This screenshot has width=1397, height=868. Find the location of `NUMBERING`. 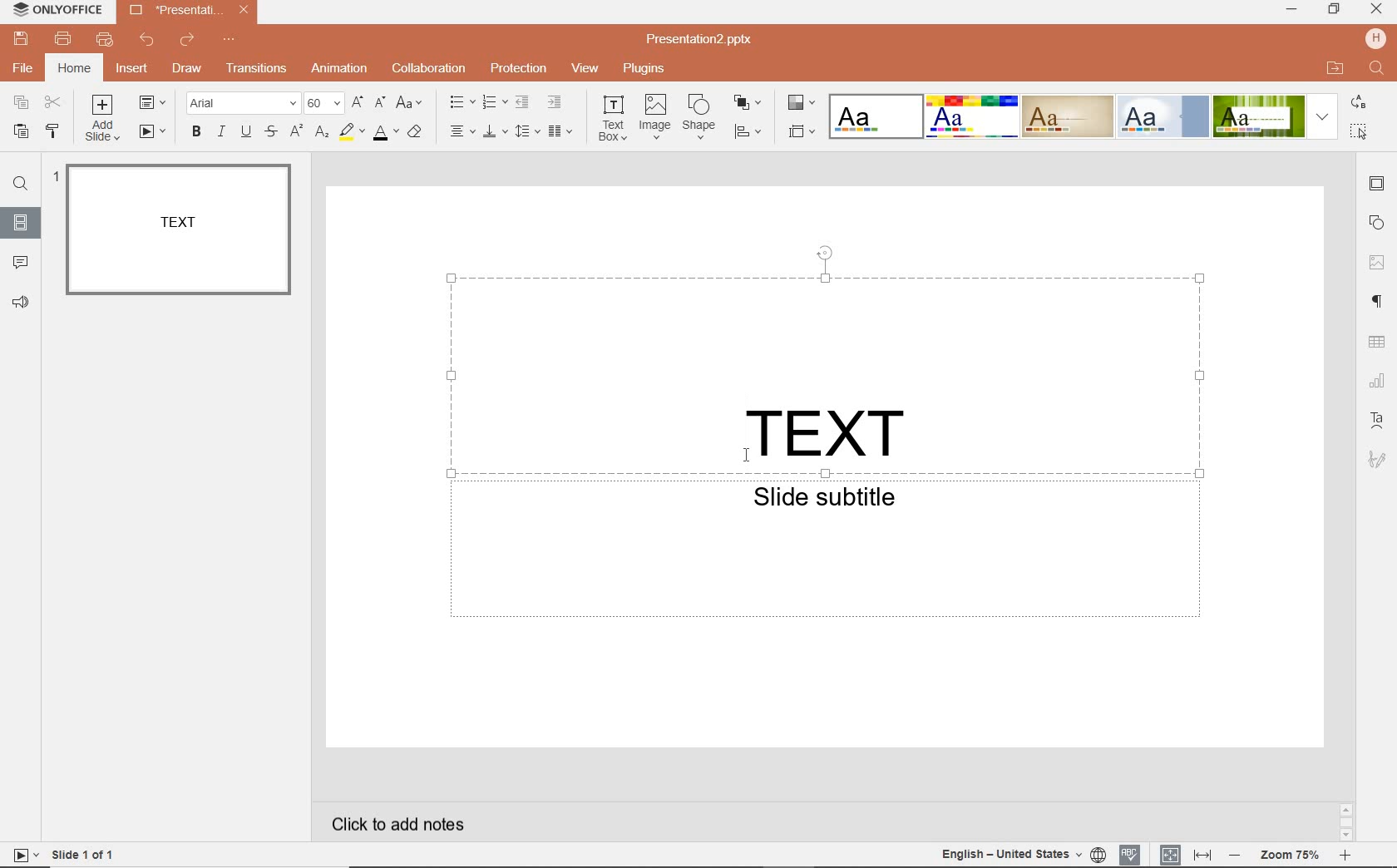

NUMBERING is located at coordinates (493, 104).